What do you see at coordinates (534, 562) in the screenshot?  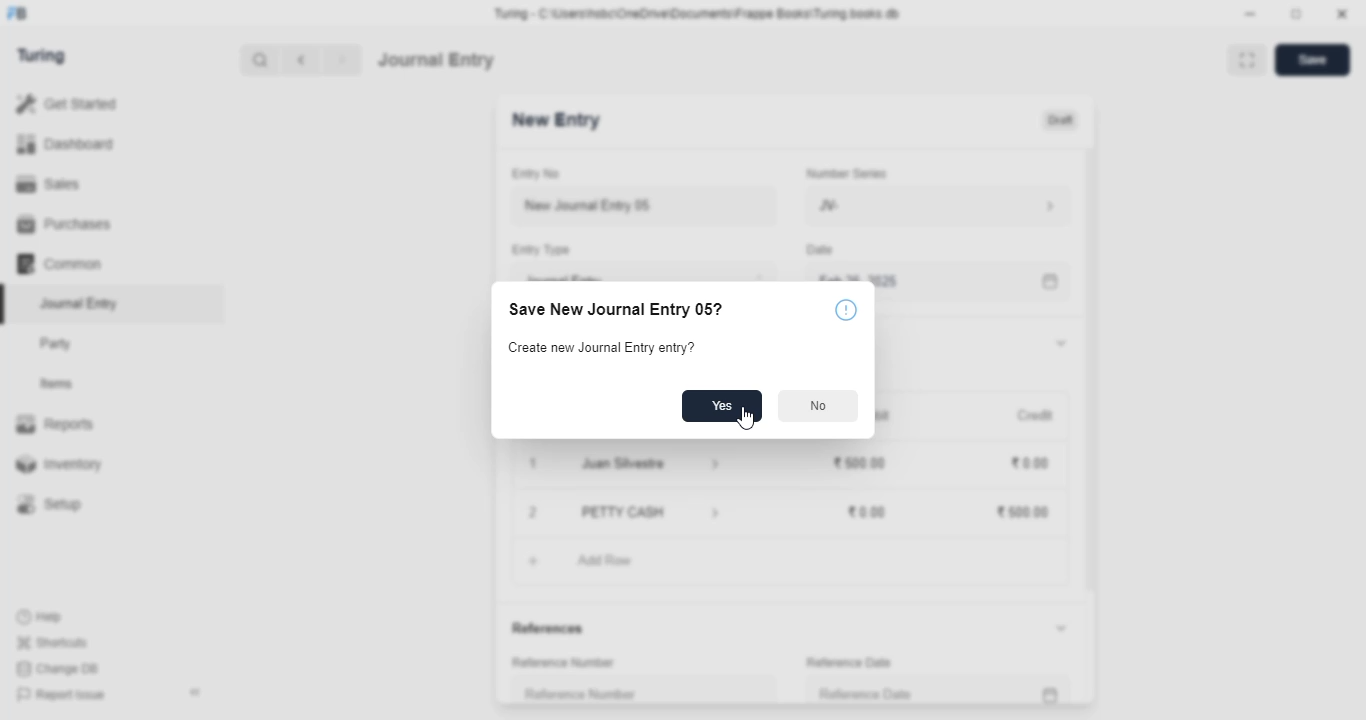 I see `add` at bounding box center [534, 562].